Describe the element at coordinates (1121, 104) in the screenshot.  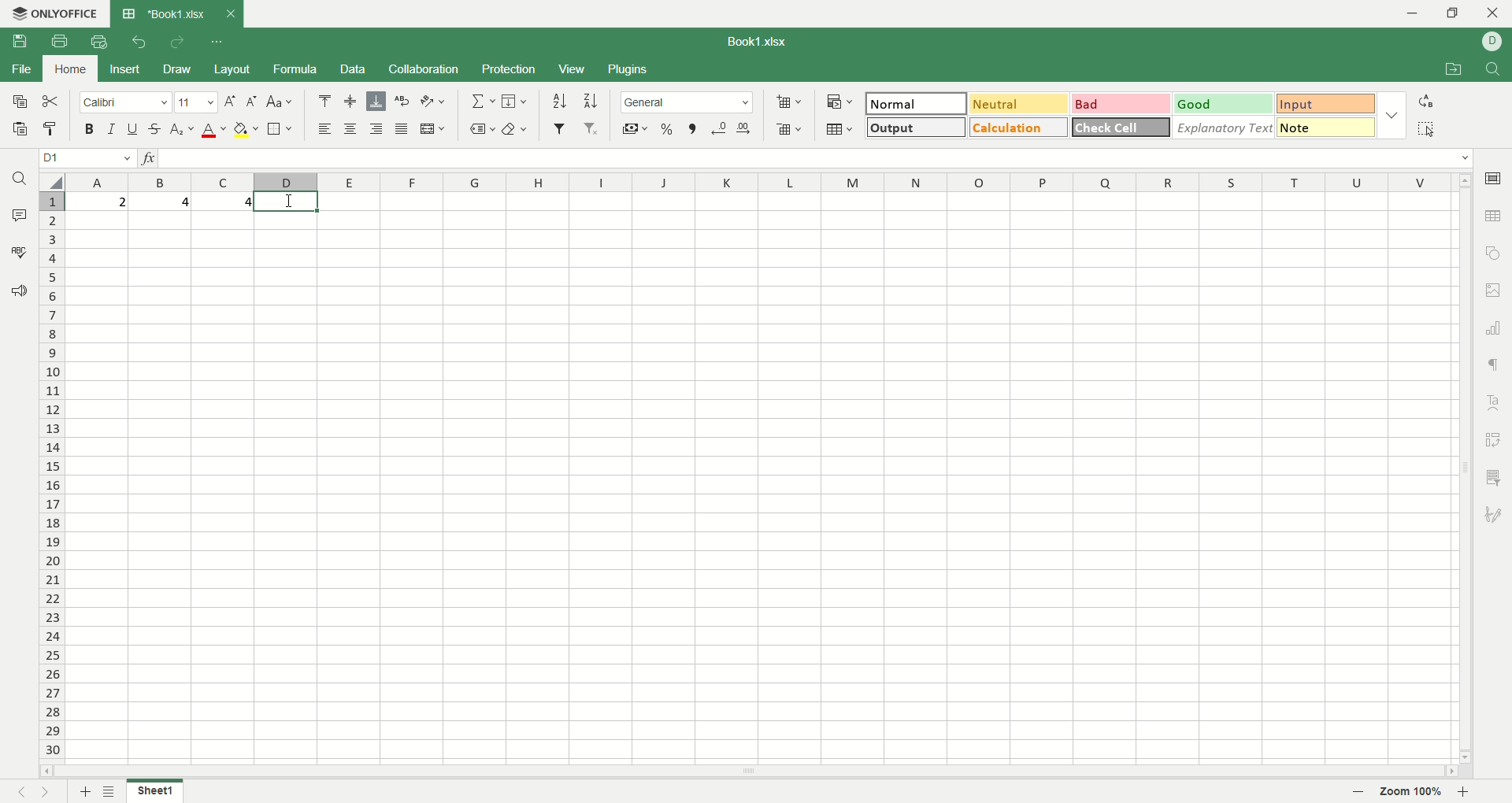
I see `bad` at that location.